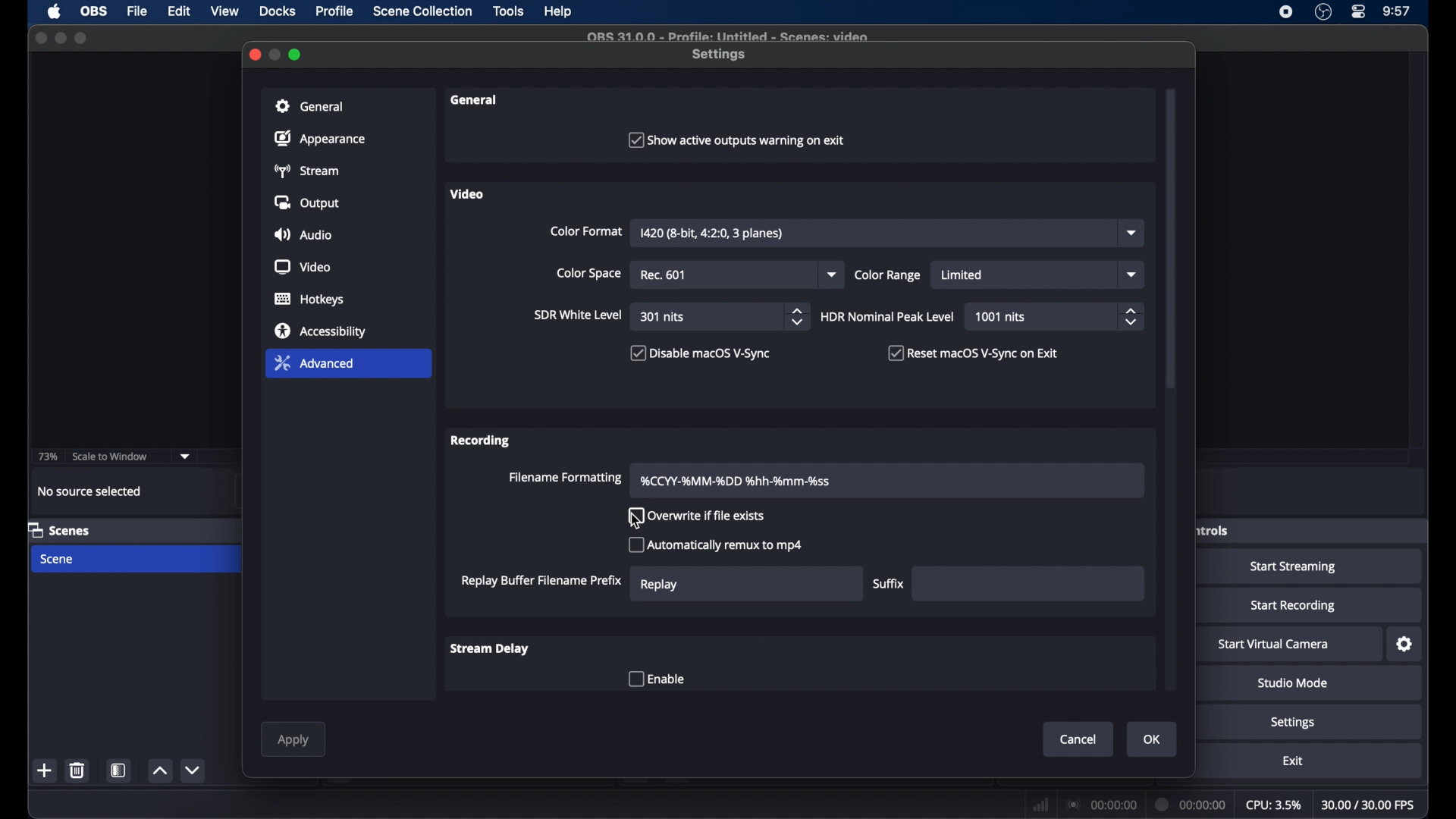 This screenshot has height=819, width=1456. What do you see at coordinates (1294, 683) in the screenshot?
I see `studio mode` at bounding box center [1294, 683].